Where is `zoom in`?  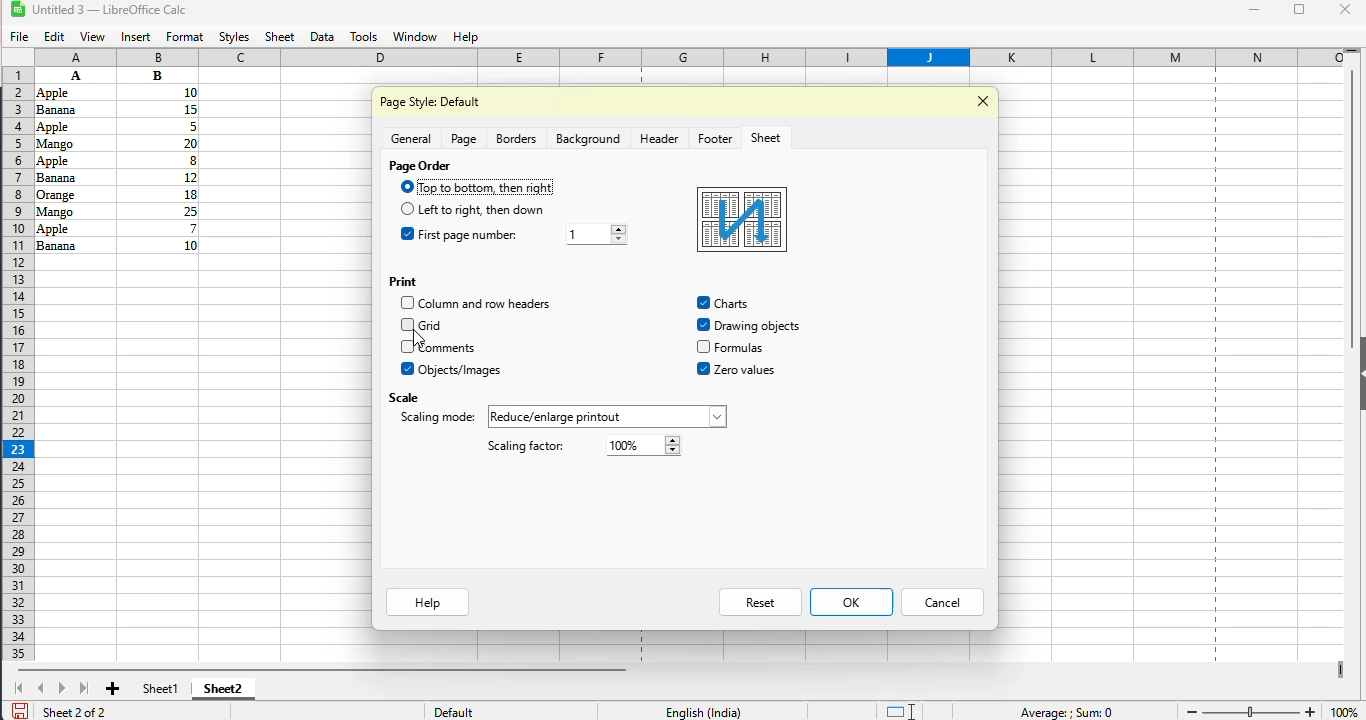 zoom in is located at coordinates (1311, 710).